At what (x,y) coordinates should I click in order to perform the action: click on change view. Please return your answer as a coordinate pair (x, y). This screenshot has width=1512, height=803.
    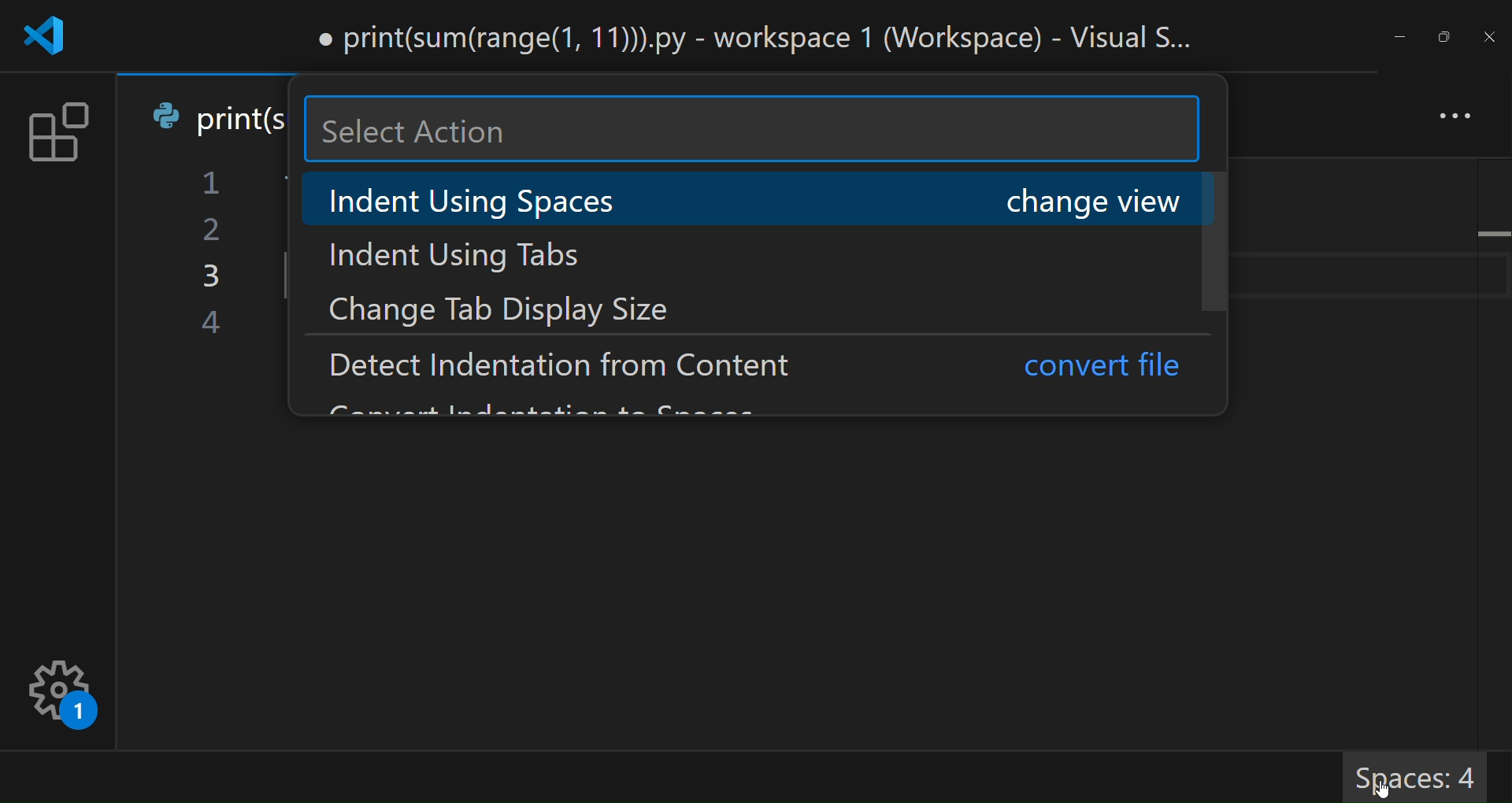
    Looking at the image, I should click on (1087, 200).